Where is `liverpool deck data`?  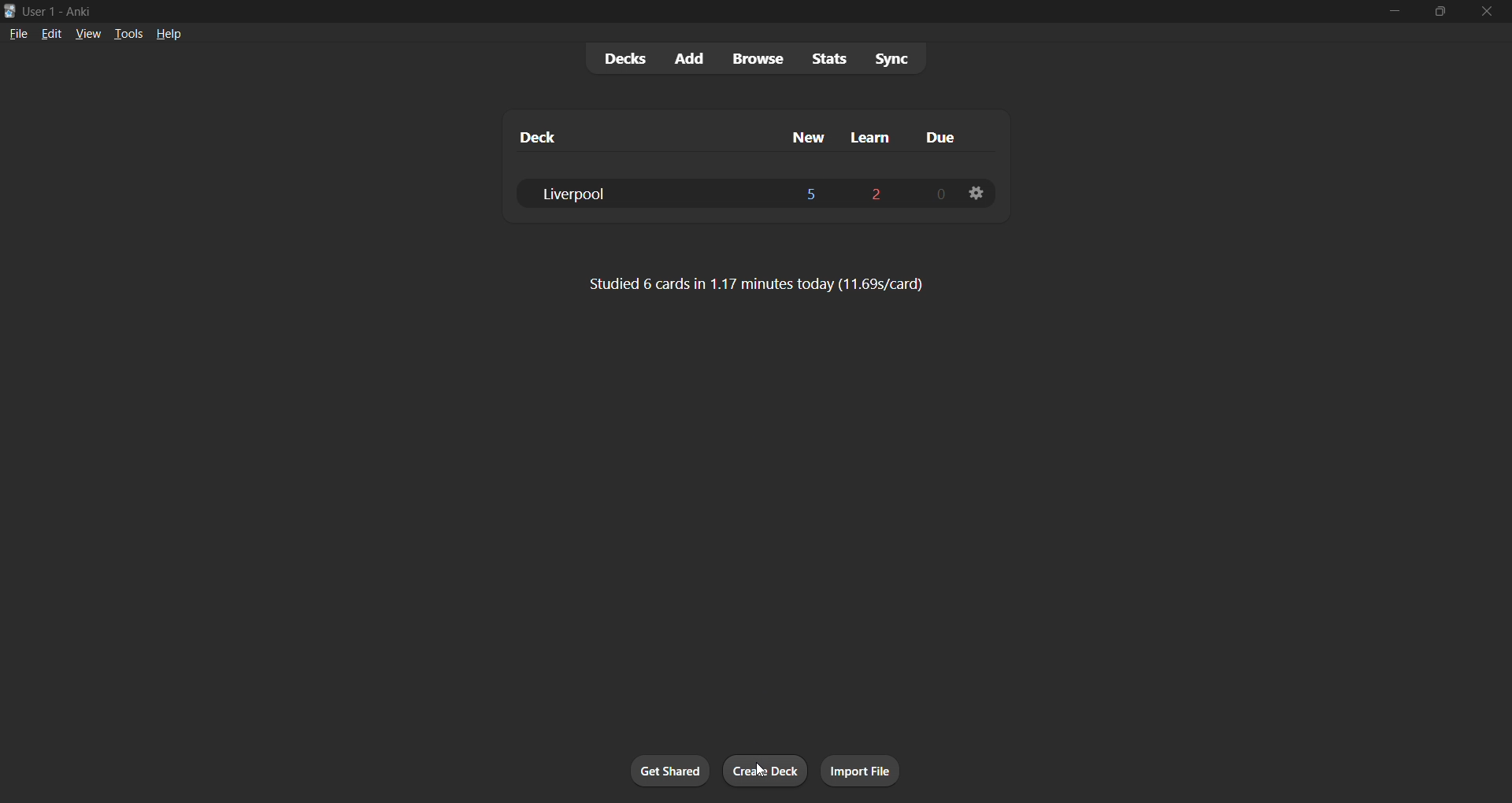 liverpool deck data is located at coordinates (736, 191).